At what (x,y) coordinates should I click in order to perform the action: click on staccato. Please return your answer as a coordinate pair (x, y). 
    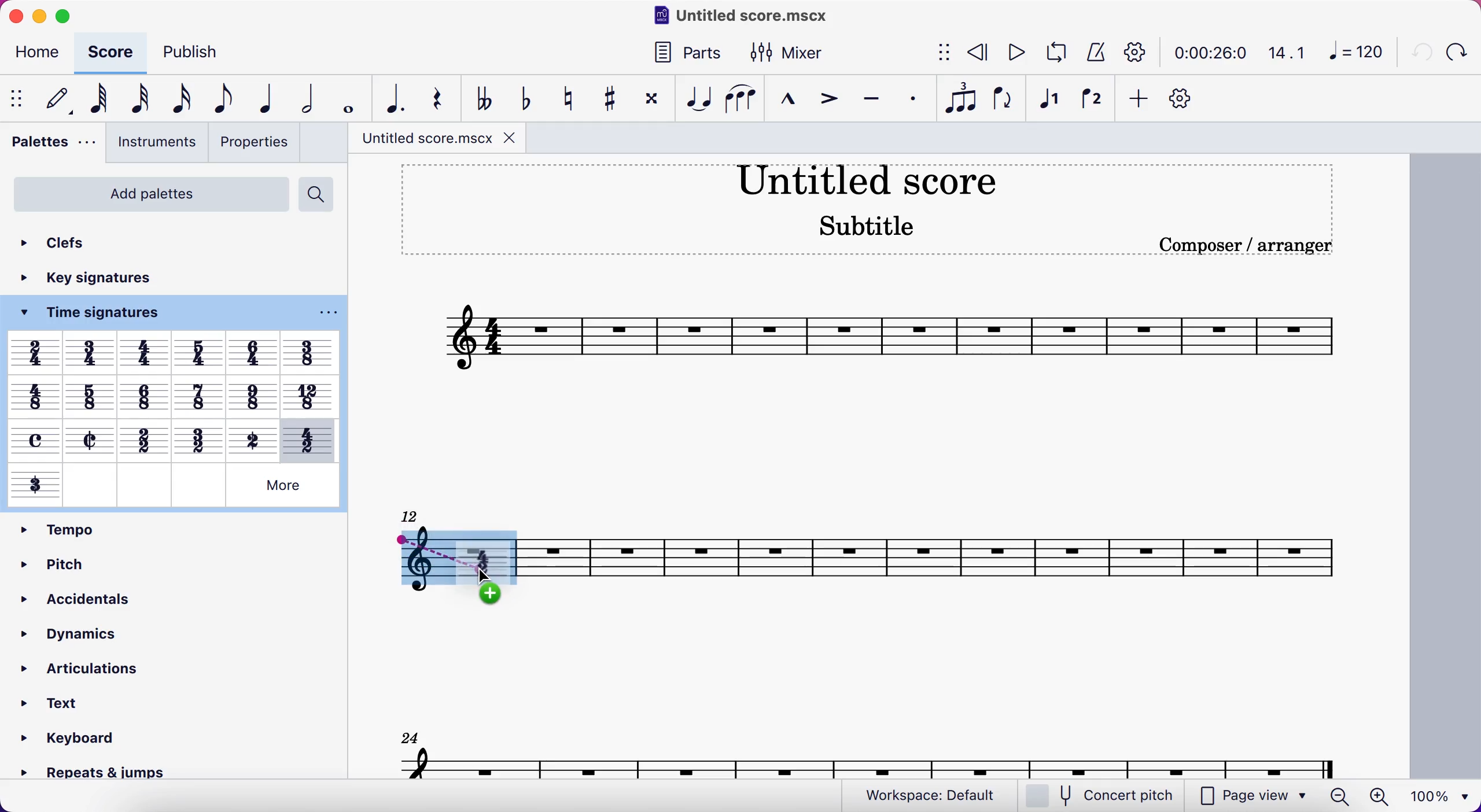
    Looking at the image, I should click on (911, 100).